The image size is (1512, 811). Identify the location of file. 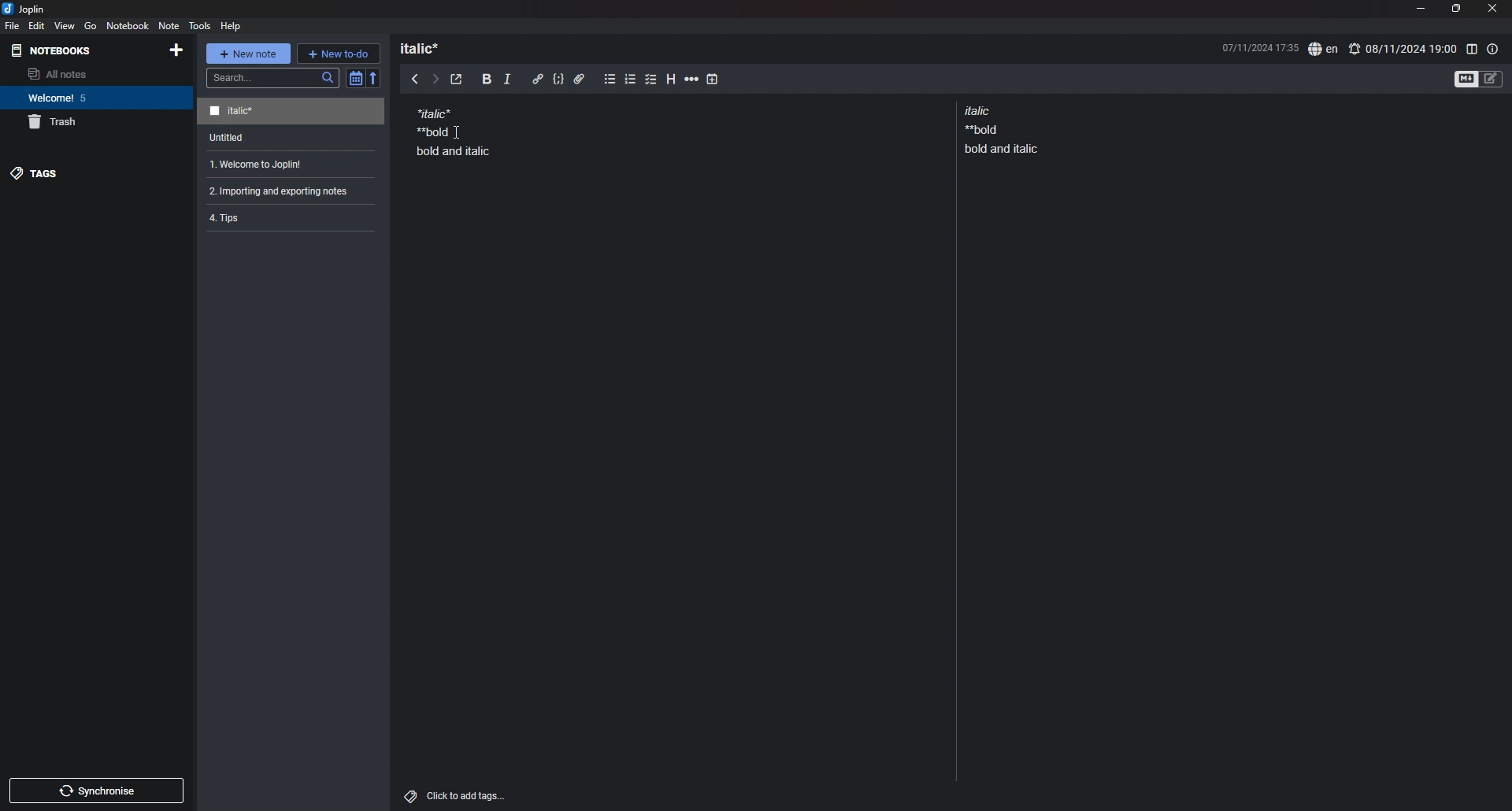
(13, 25).